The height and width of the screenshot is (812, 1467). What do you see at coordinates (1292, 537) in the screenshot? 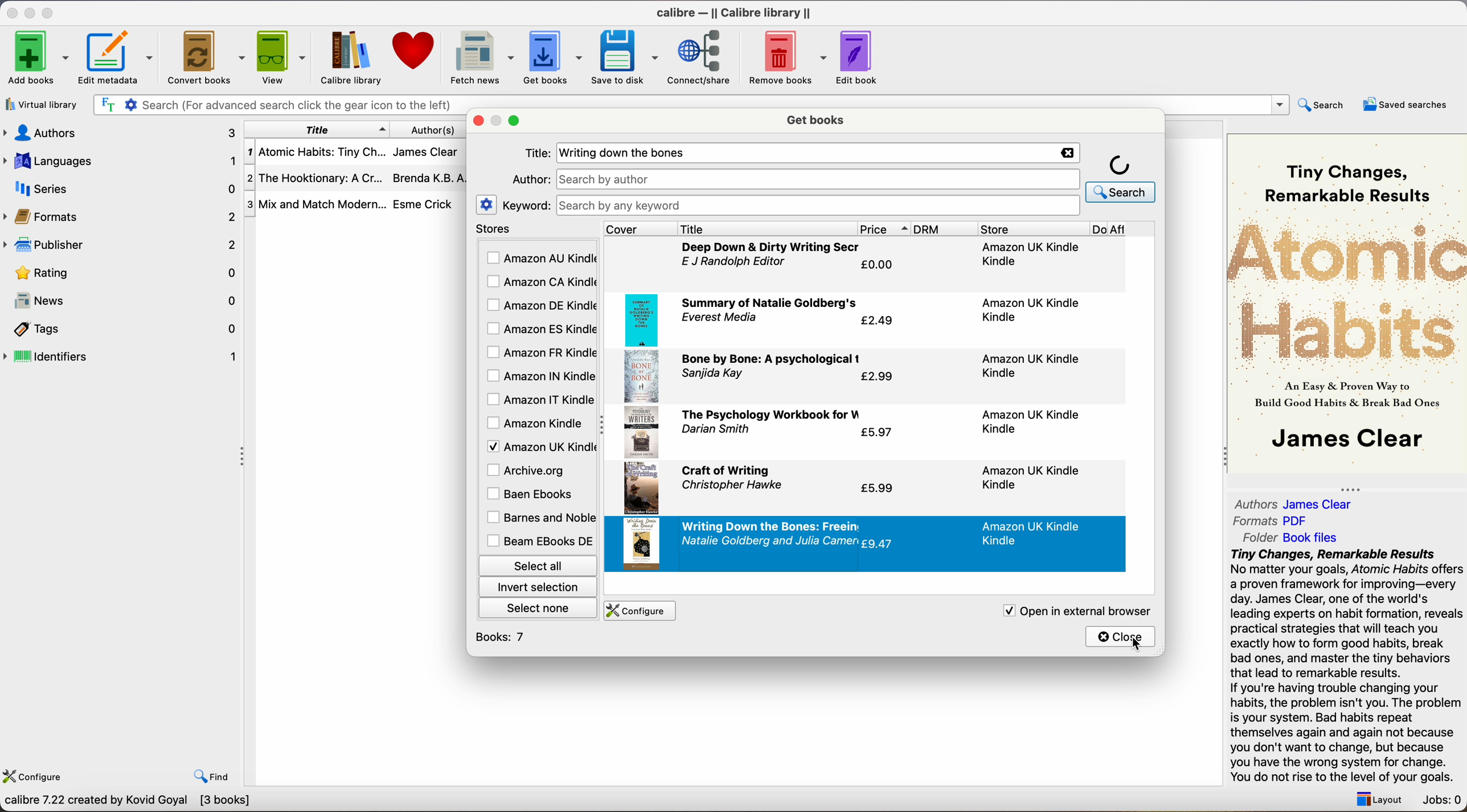
I see `folder Book files` at bounding box center [1292, 537].